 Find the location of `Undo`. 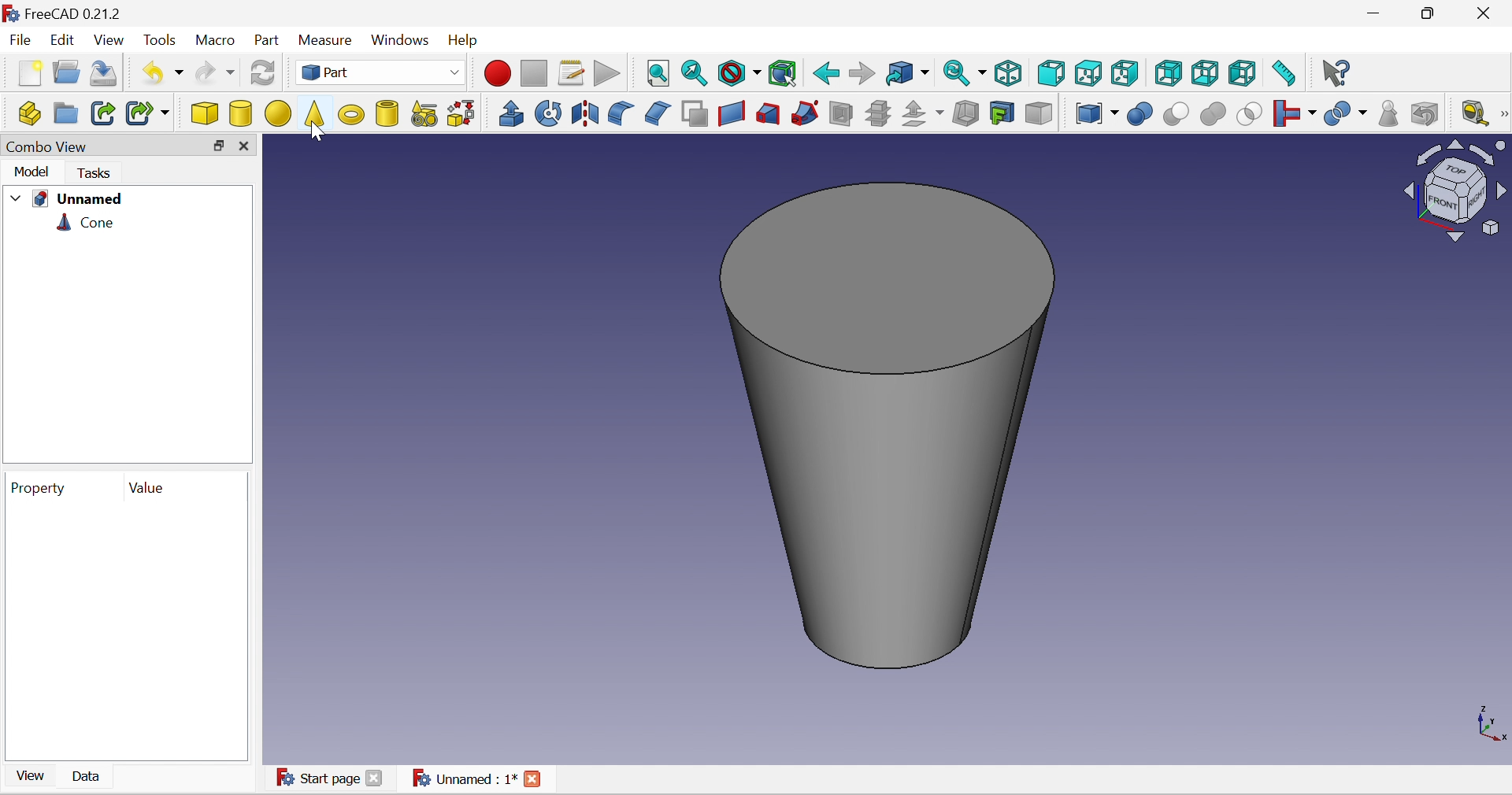

Undo is located at coordinates (159, 75).